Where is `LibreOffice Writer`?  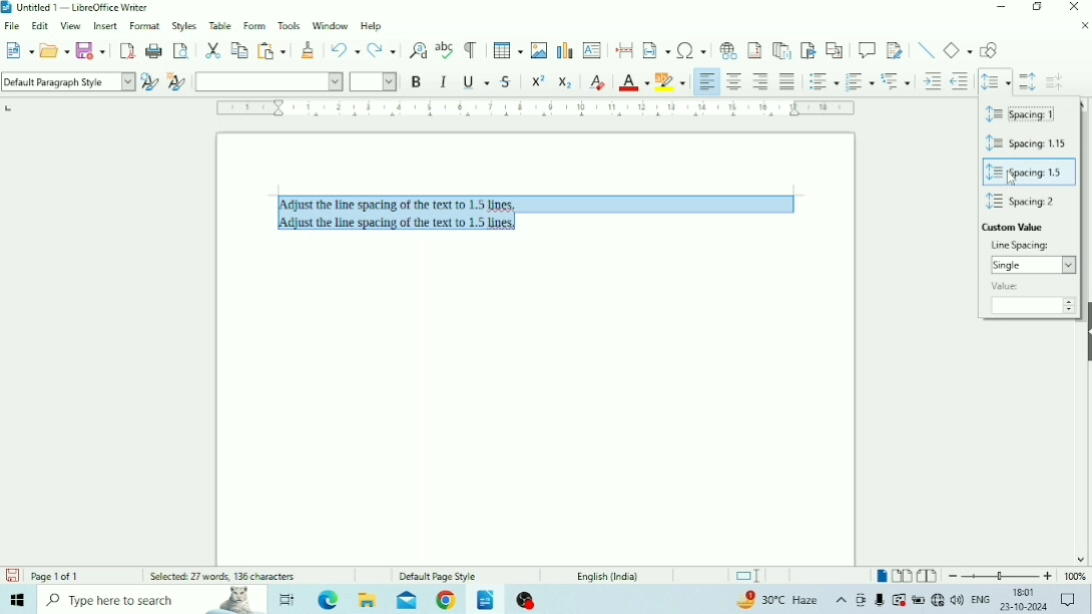 LibreOffice Writer is located at coordinates (484, 600).